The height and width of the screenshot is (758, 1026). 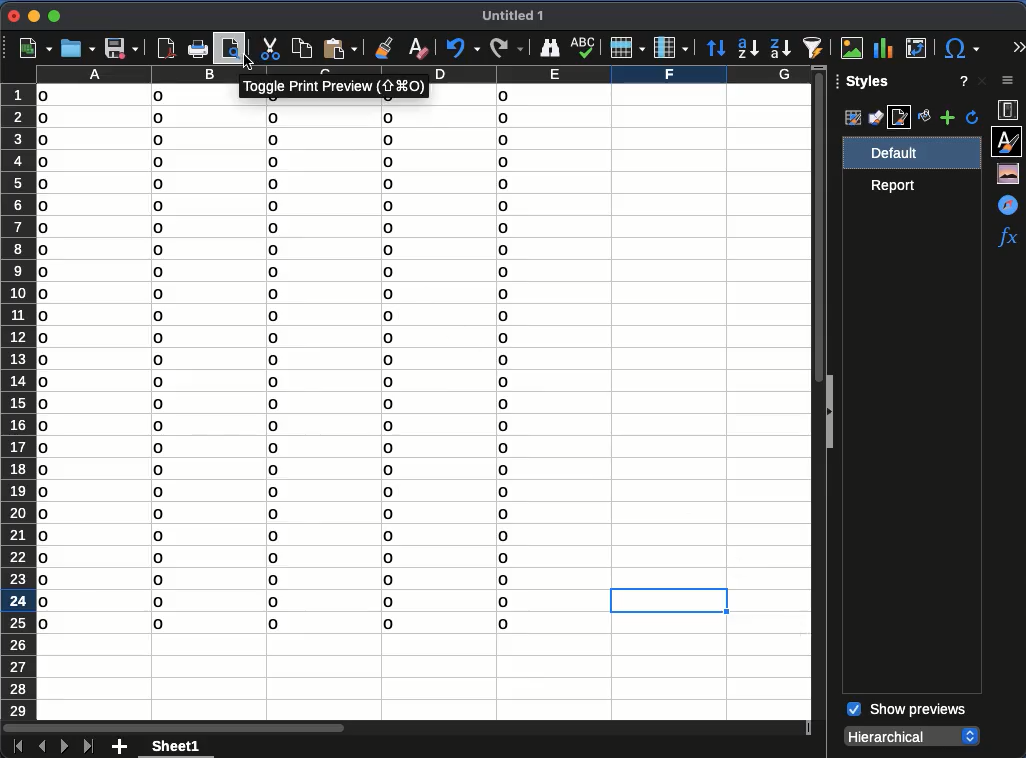 I want to click on paste, so click(x=341, y=47).